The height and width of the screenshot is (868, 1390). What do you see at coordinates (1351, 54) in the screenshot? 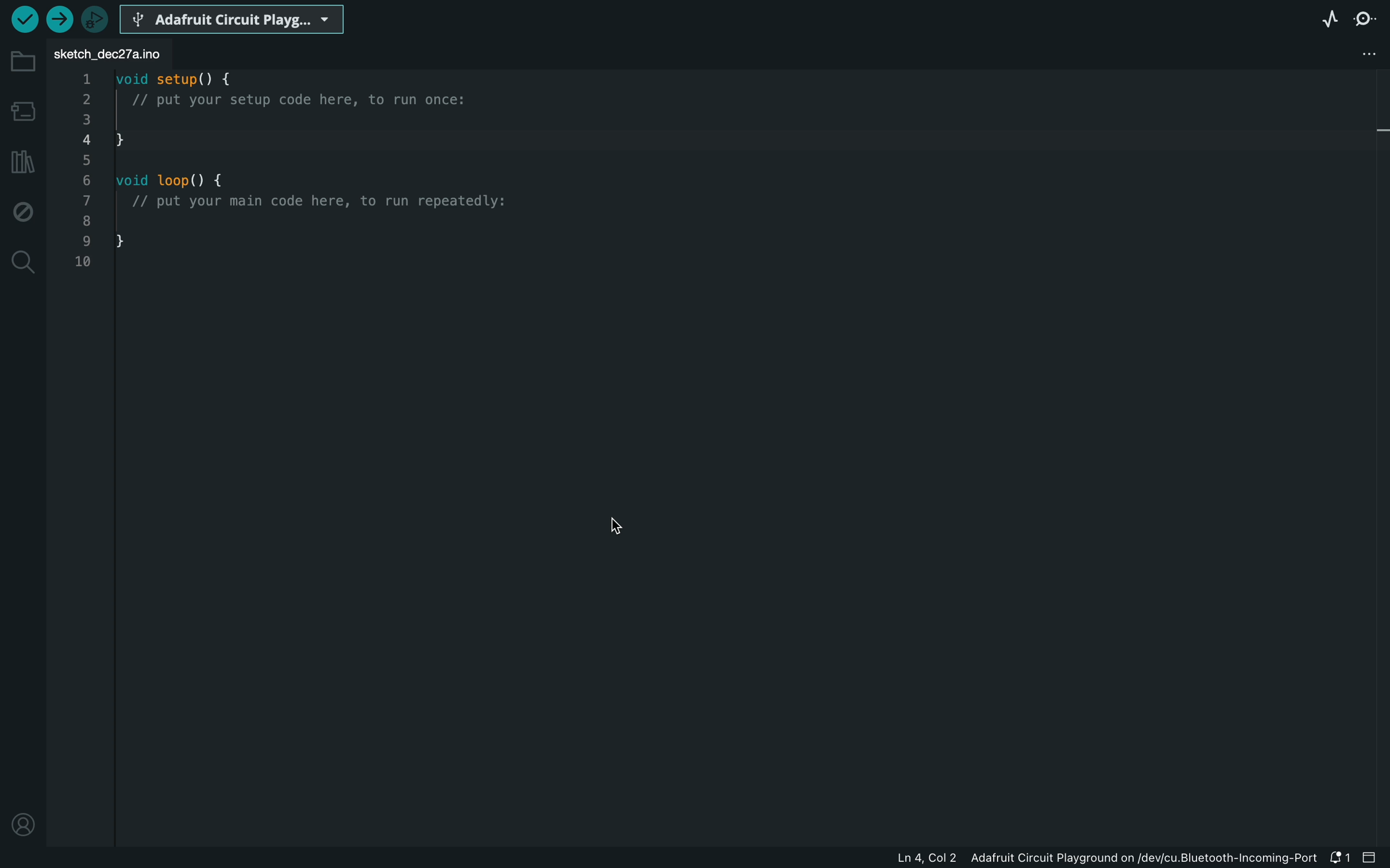
I see `file setting` at bounding box center [1351, 54].